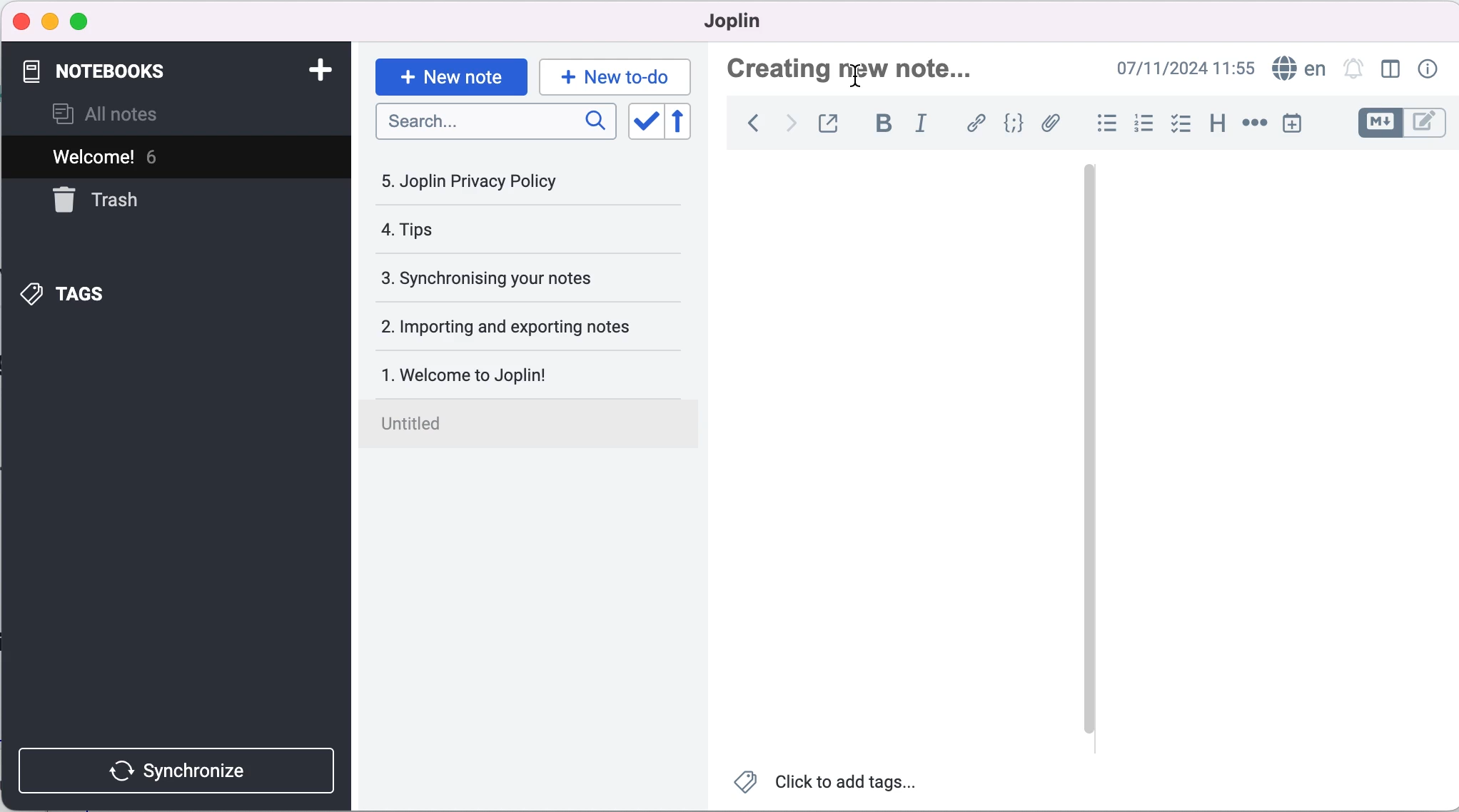  What do you see at coordinates (617, 76) in the screenshot?
I see `new to-do` at bounding box center [617, 76].